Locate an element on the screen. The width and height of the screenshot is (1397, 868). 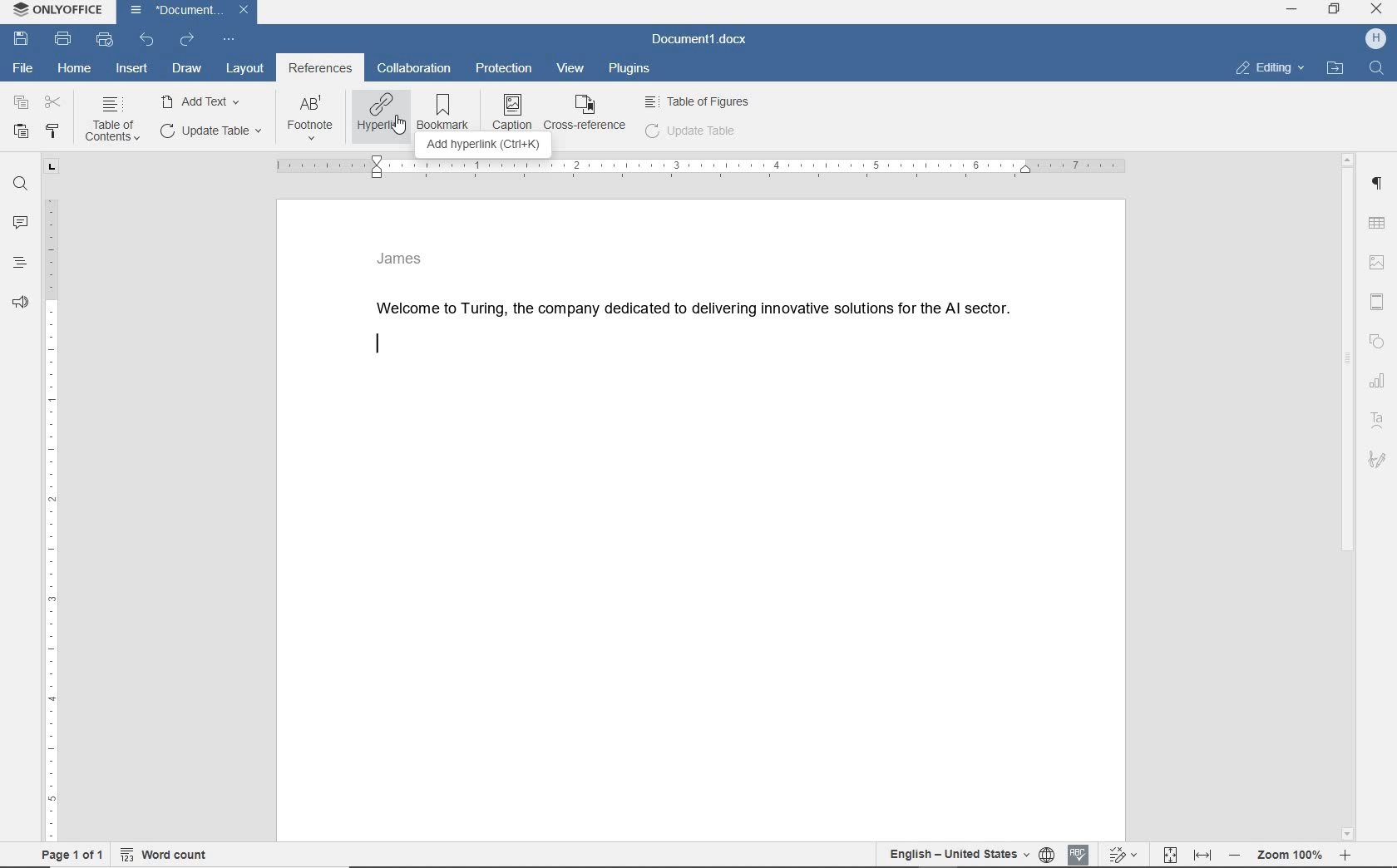
feedback & support is located at coordinates (18, 306).